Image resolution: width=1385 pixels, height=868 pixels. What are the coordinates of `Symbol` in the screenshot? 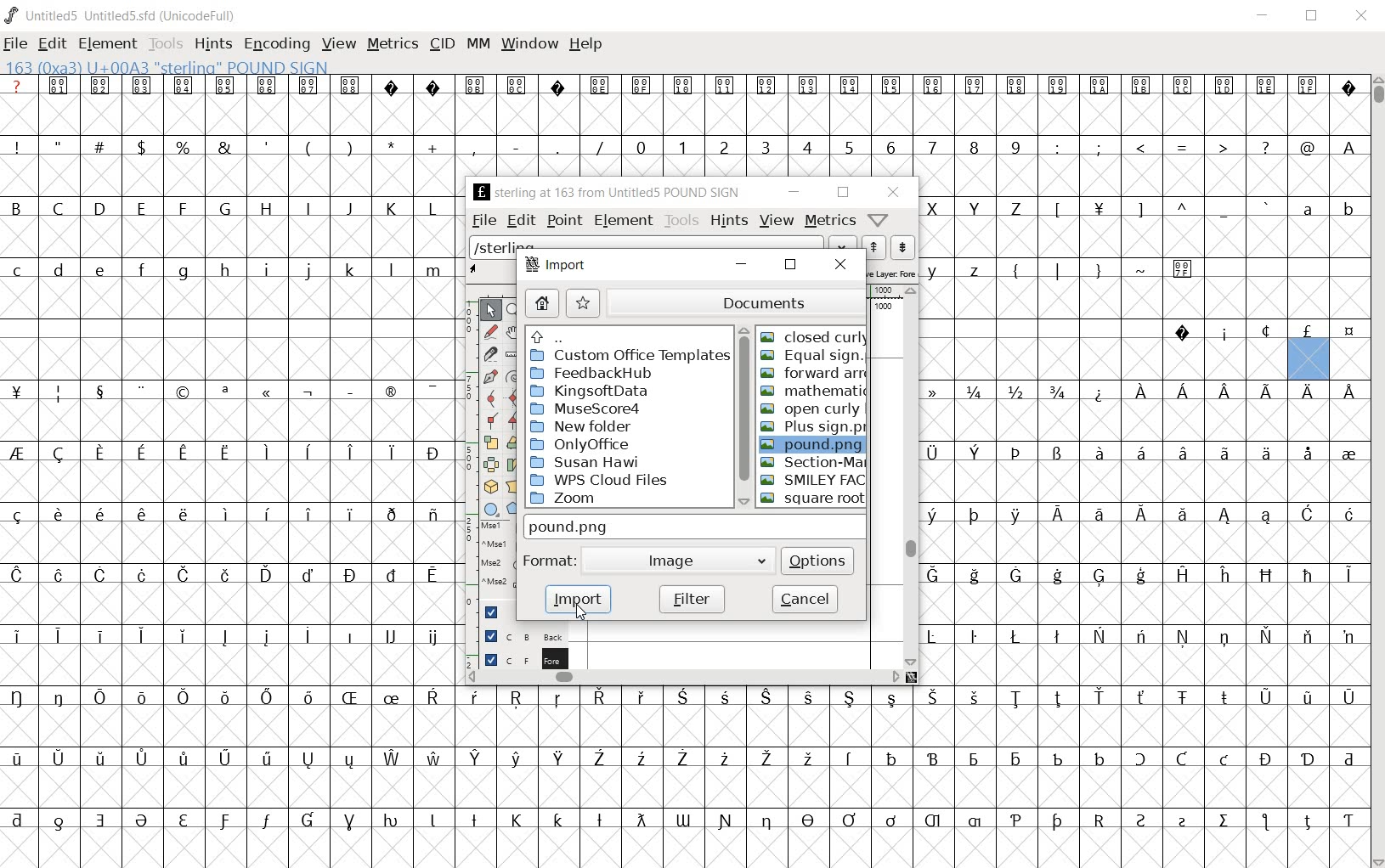 It's located at (432, 452).